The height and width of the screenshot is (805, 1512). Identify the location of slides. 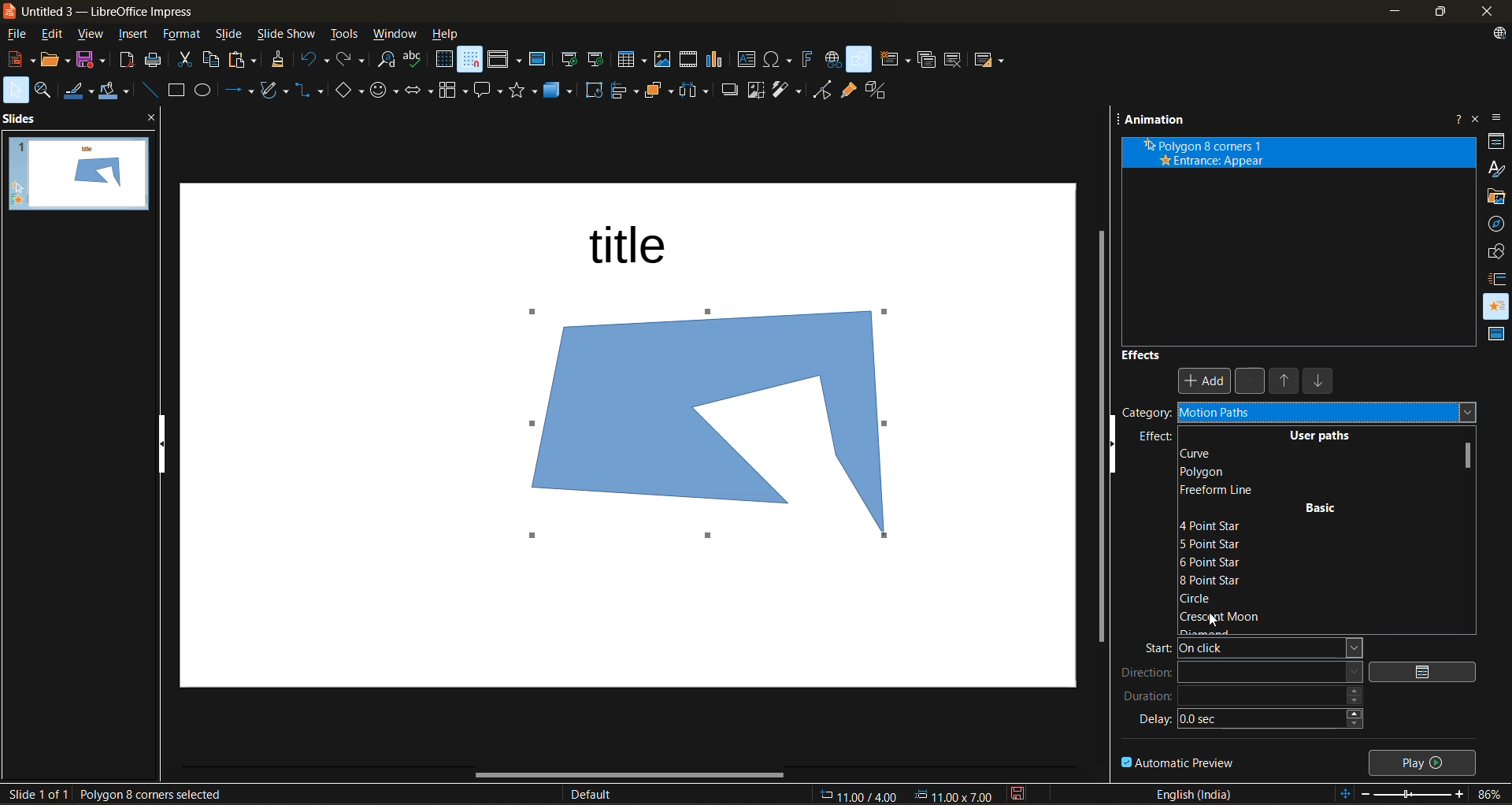
(24, 118).